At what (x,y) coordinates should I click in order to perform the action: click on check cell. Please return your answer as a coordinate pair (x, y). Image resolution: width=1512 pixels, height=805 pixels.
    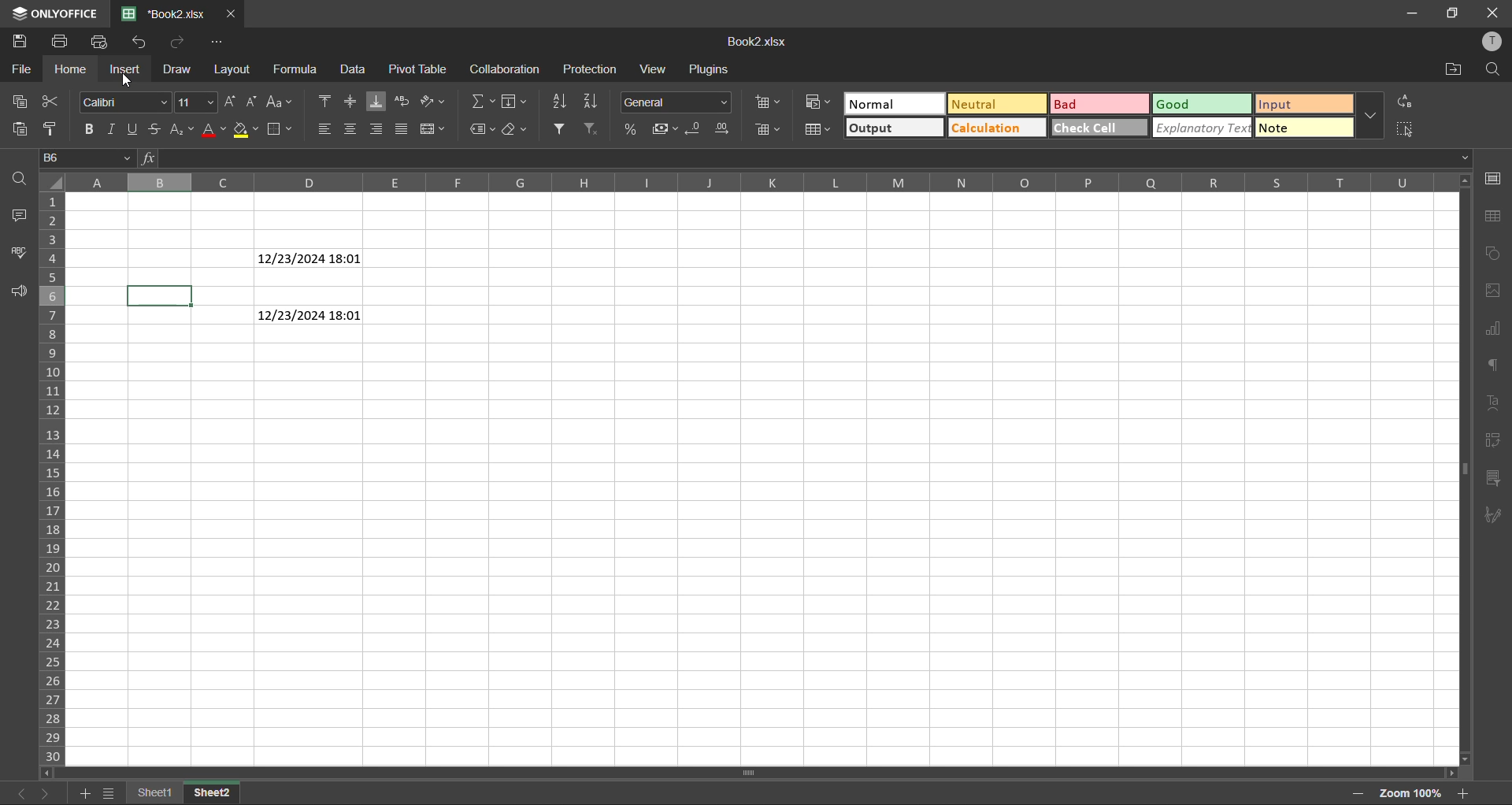
    Looking at the image, I should click on (1101, 129).